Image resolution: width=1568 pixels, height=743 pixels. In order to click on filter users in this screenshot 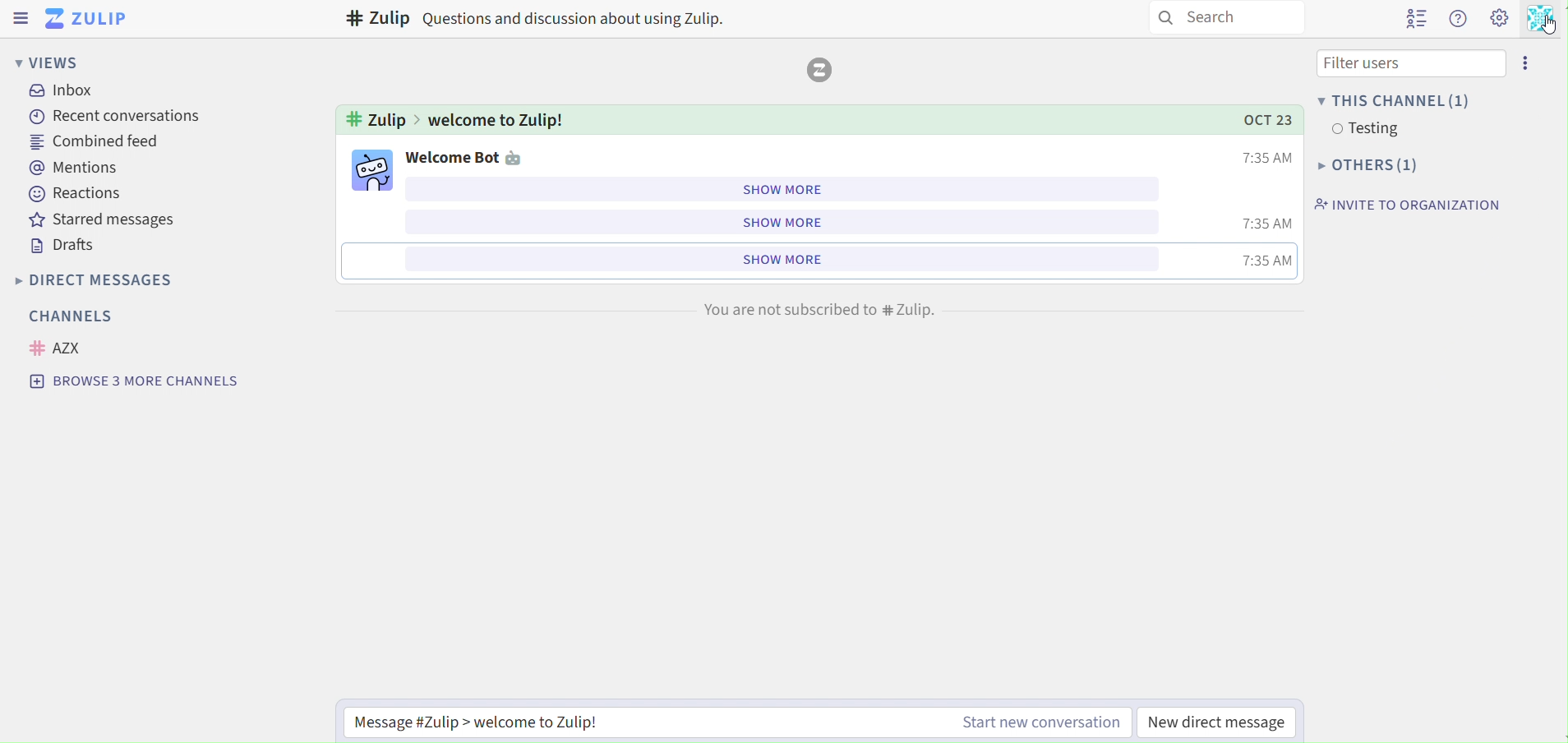, I will do `click(1402, 63)`.